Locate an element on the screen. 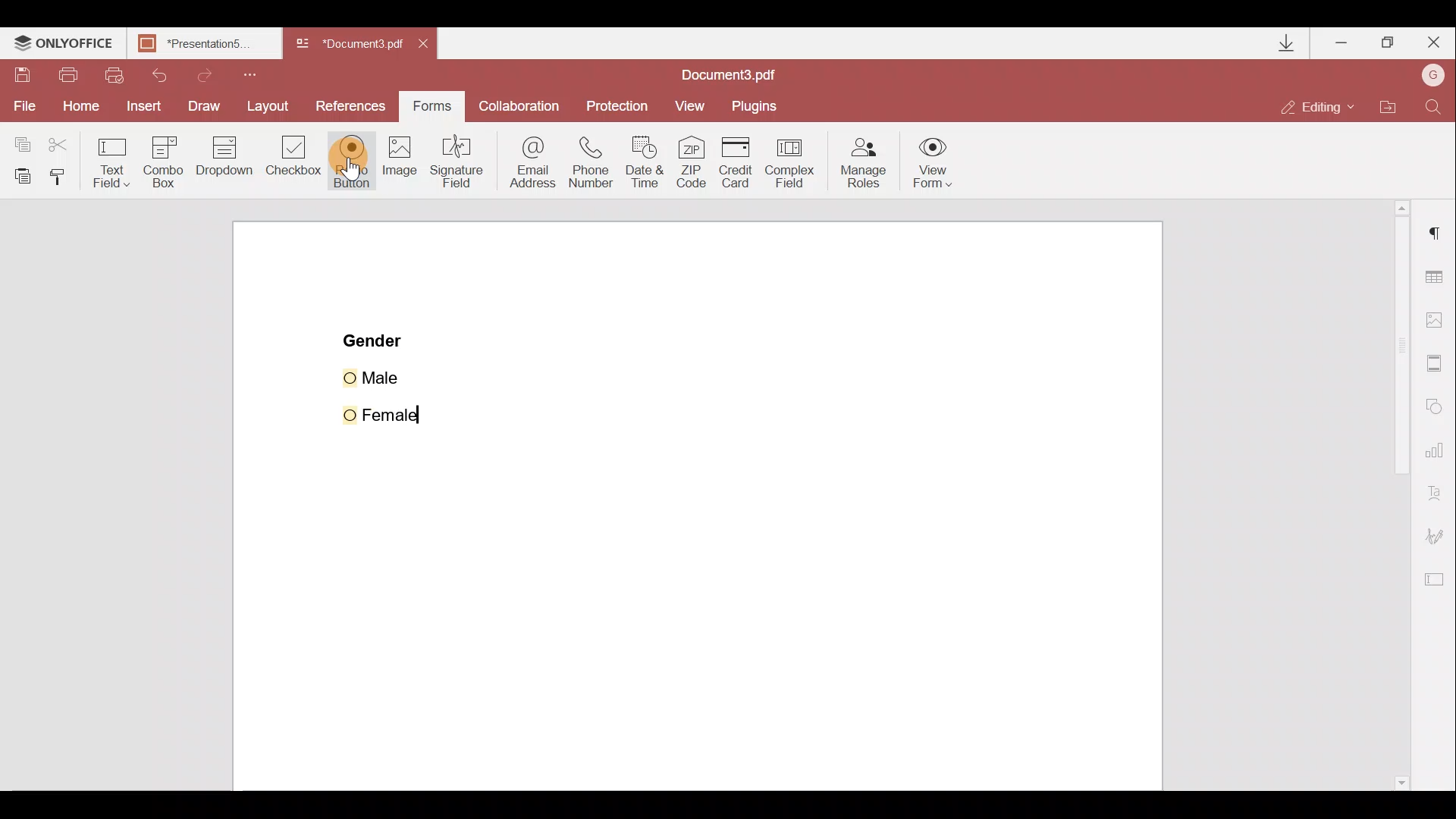 The height and width of the screenshot is (819, 1456). Copy style is located at coordinates (64, 175).